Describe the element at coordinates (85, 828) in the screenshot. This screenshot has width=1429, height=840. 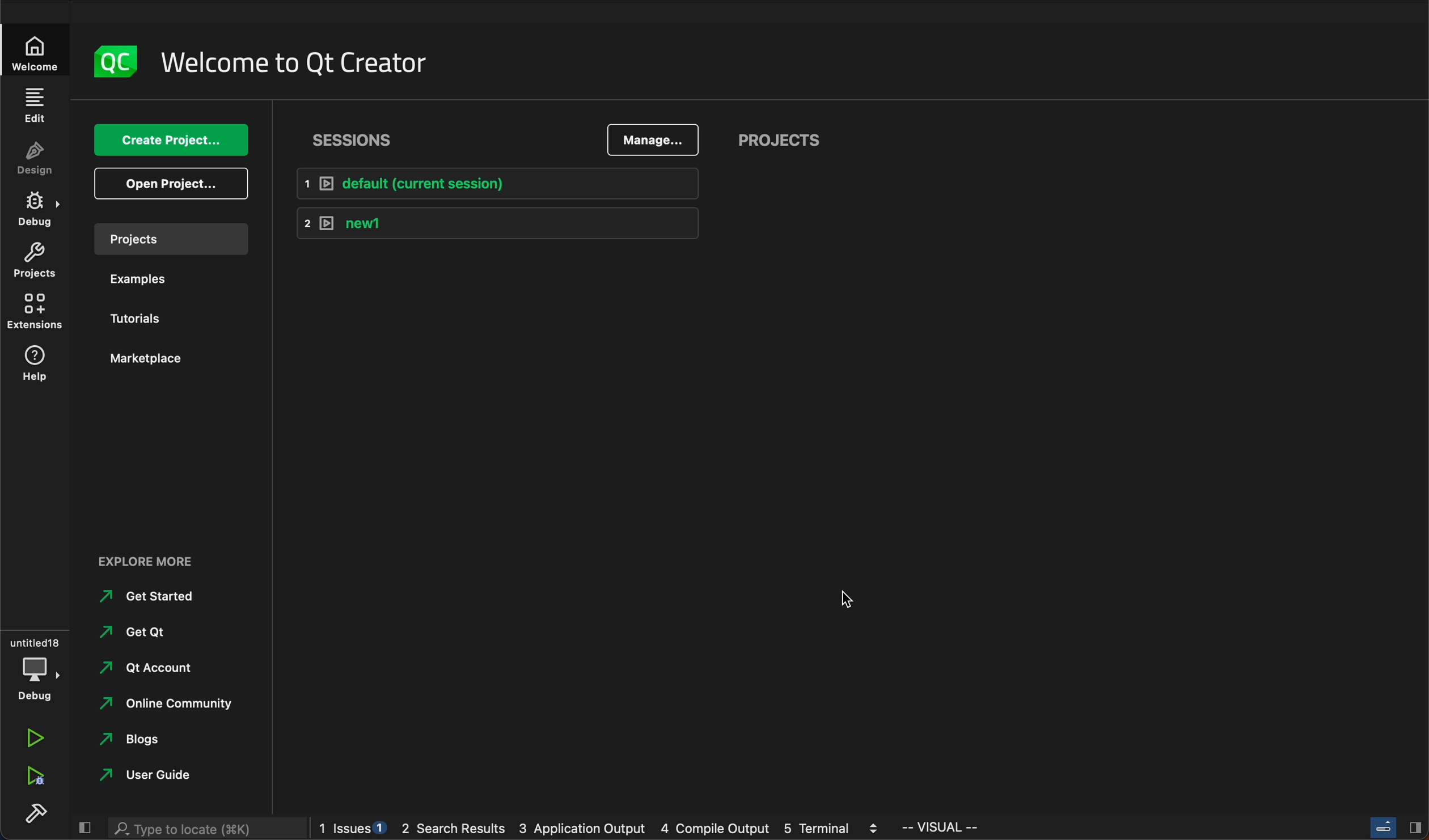
I see `close slide bar` at that location.